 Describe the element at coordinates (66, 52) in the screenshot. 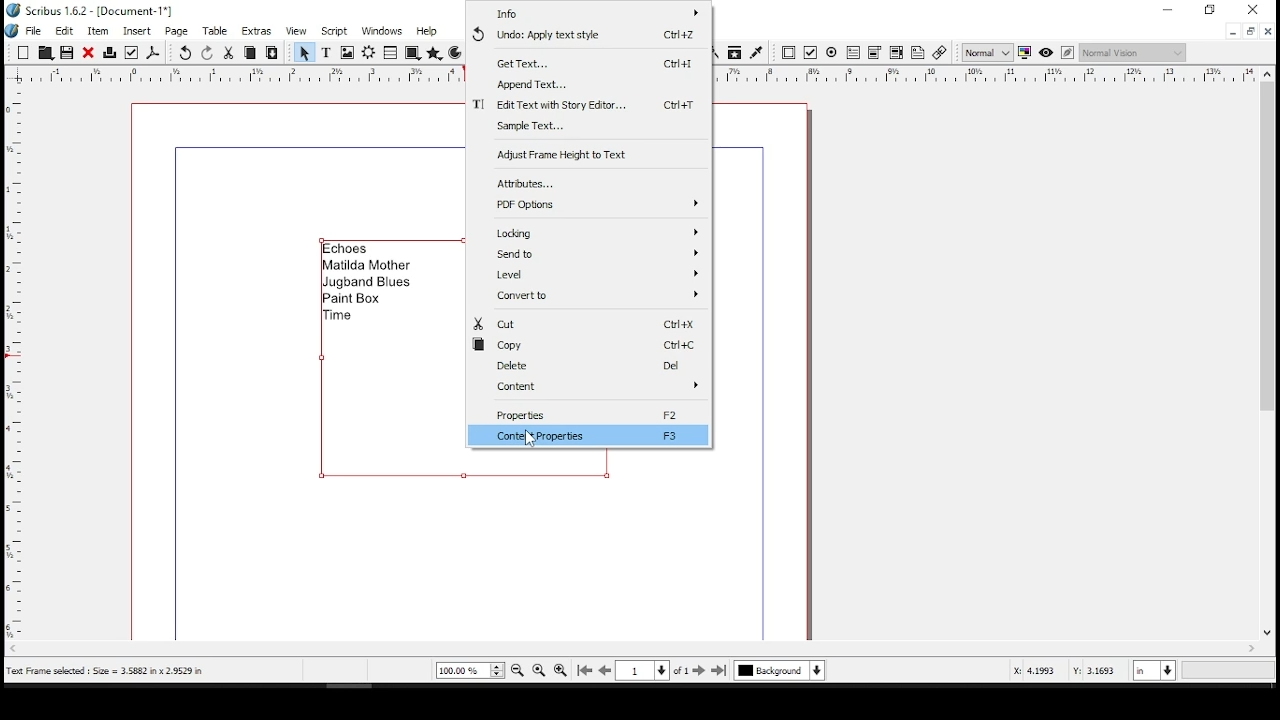

I see `save` at that location.